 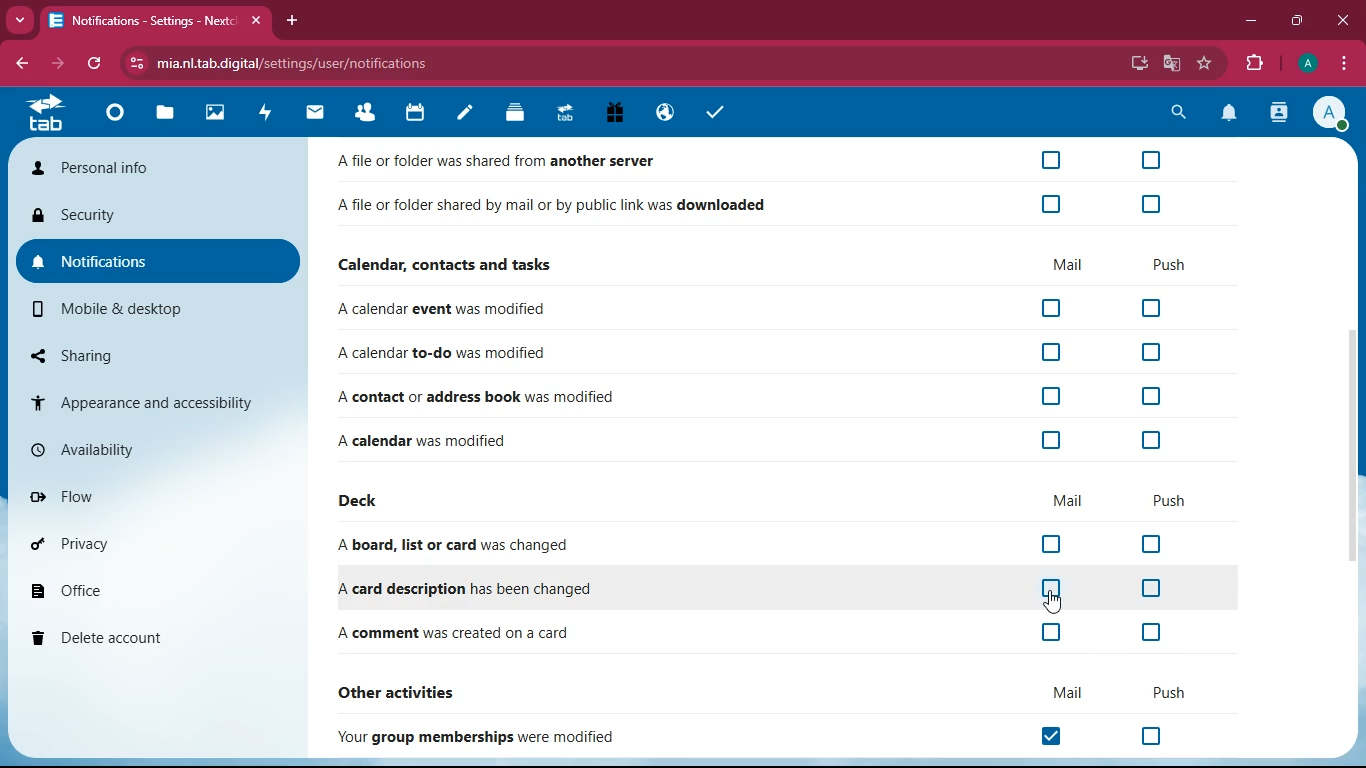 I want to click on Account, so click(x=1330, y=112).